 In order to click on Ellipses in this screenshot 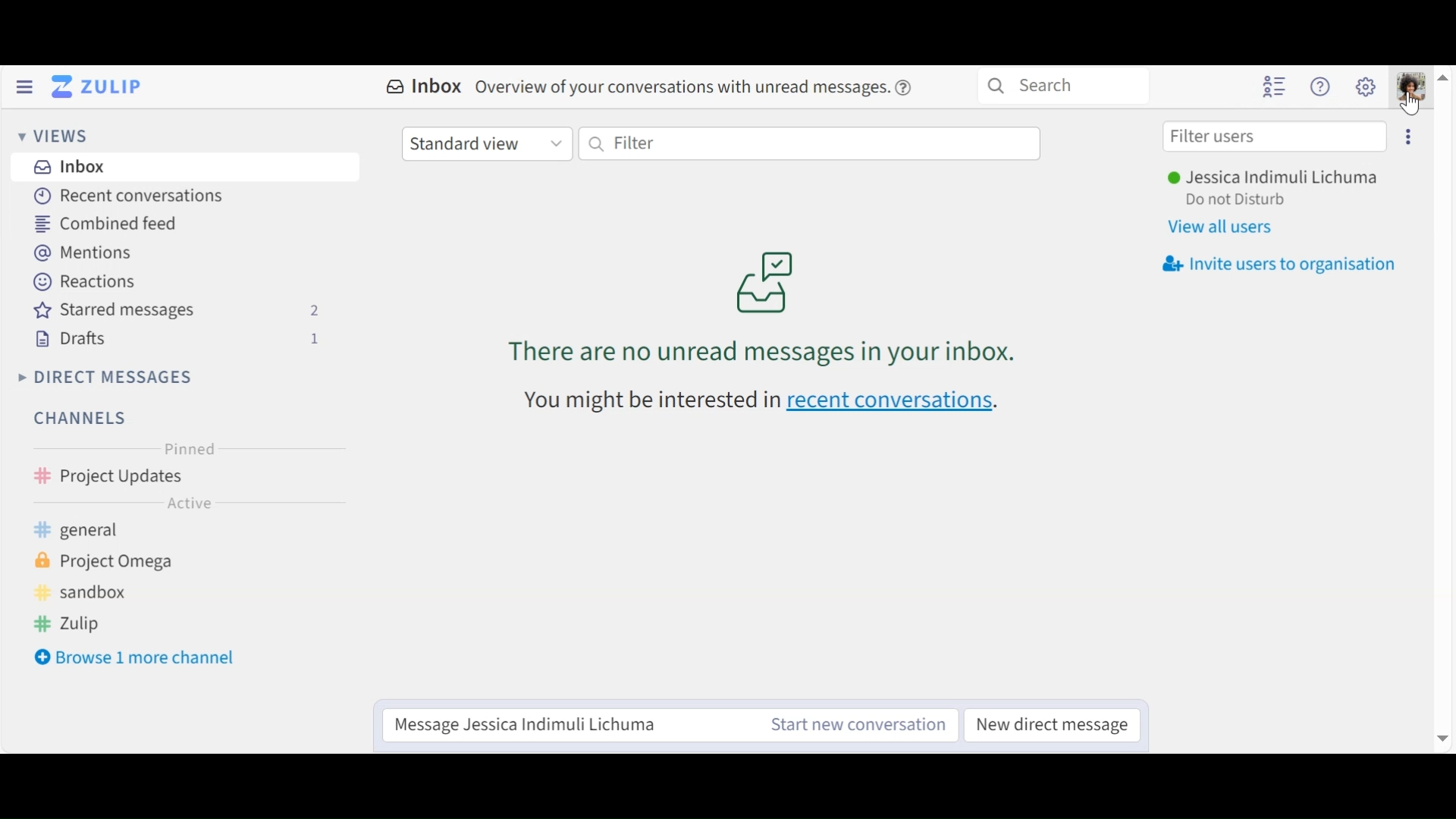, I will do `click(1407, 138)`.